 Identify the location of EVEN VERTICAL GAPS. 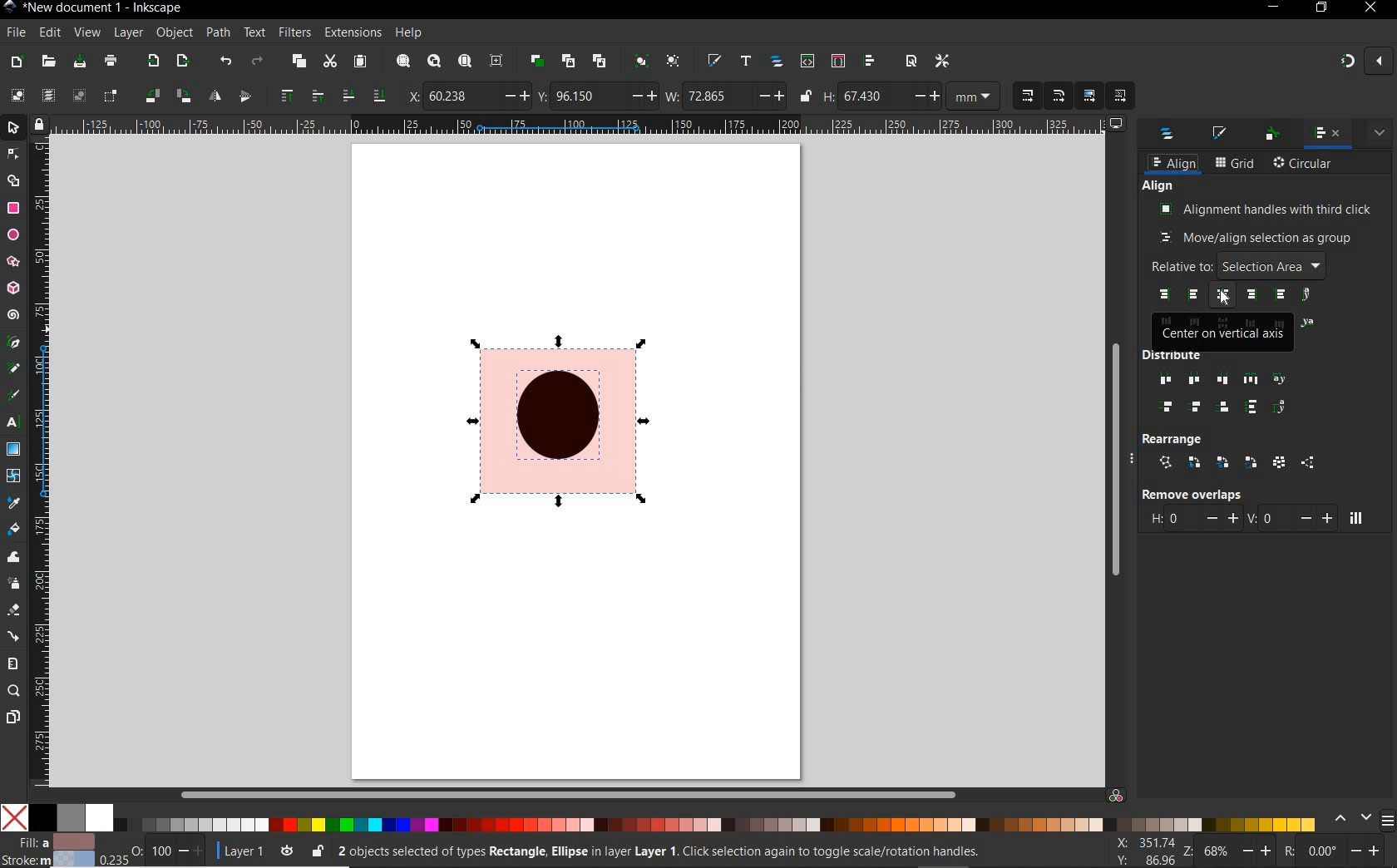
(1252, 407).